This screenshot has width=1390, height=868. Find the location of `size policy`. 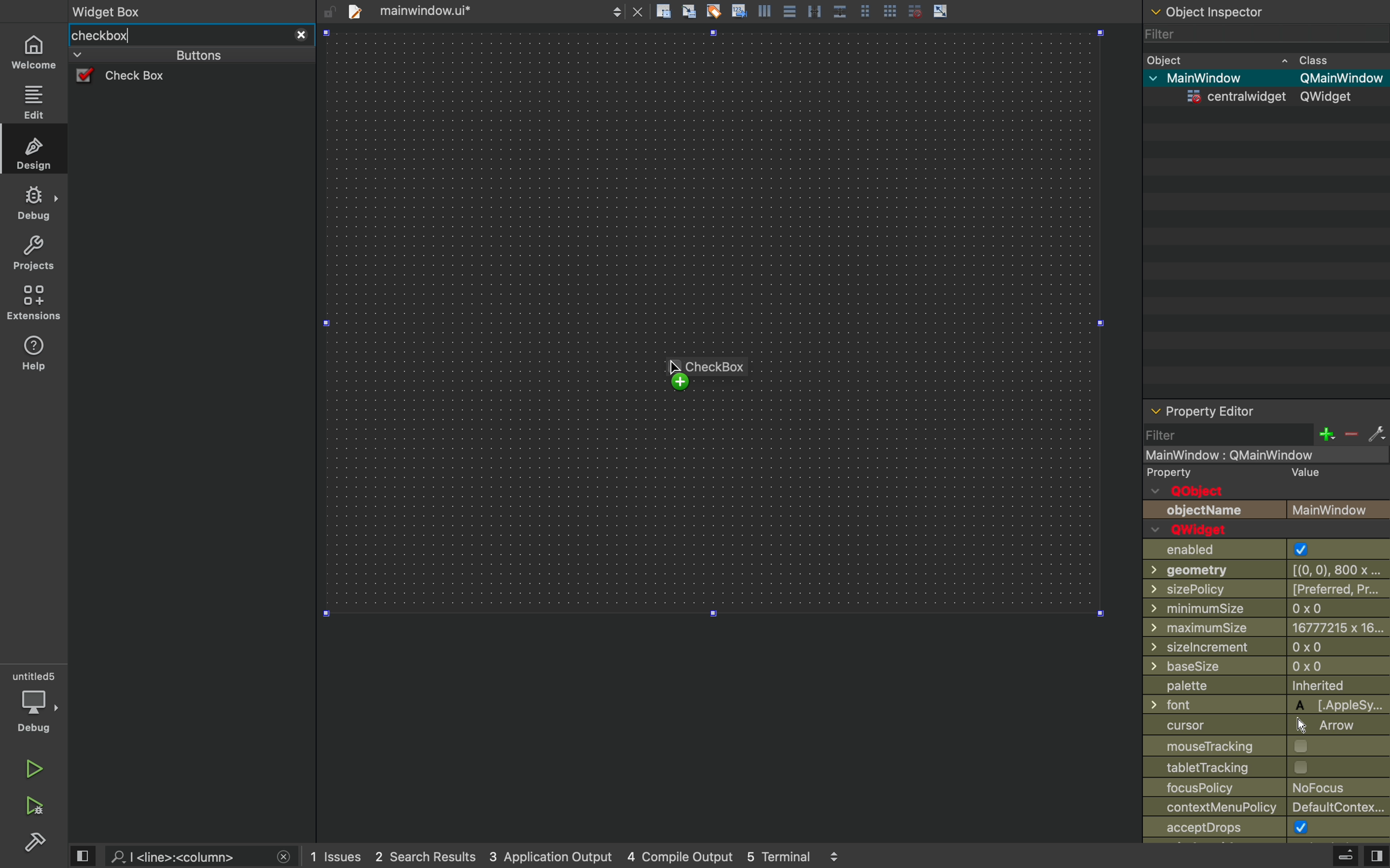

size policy is located at coordinates (1268, 588).